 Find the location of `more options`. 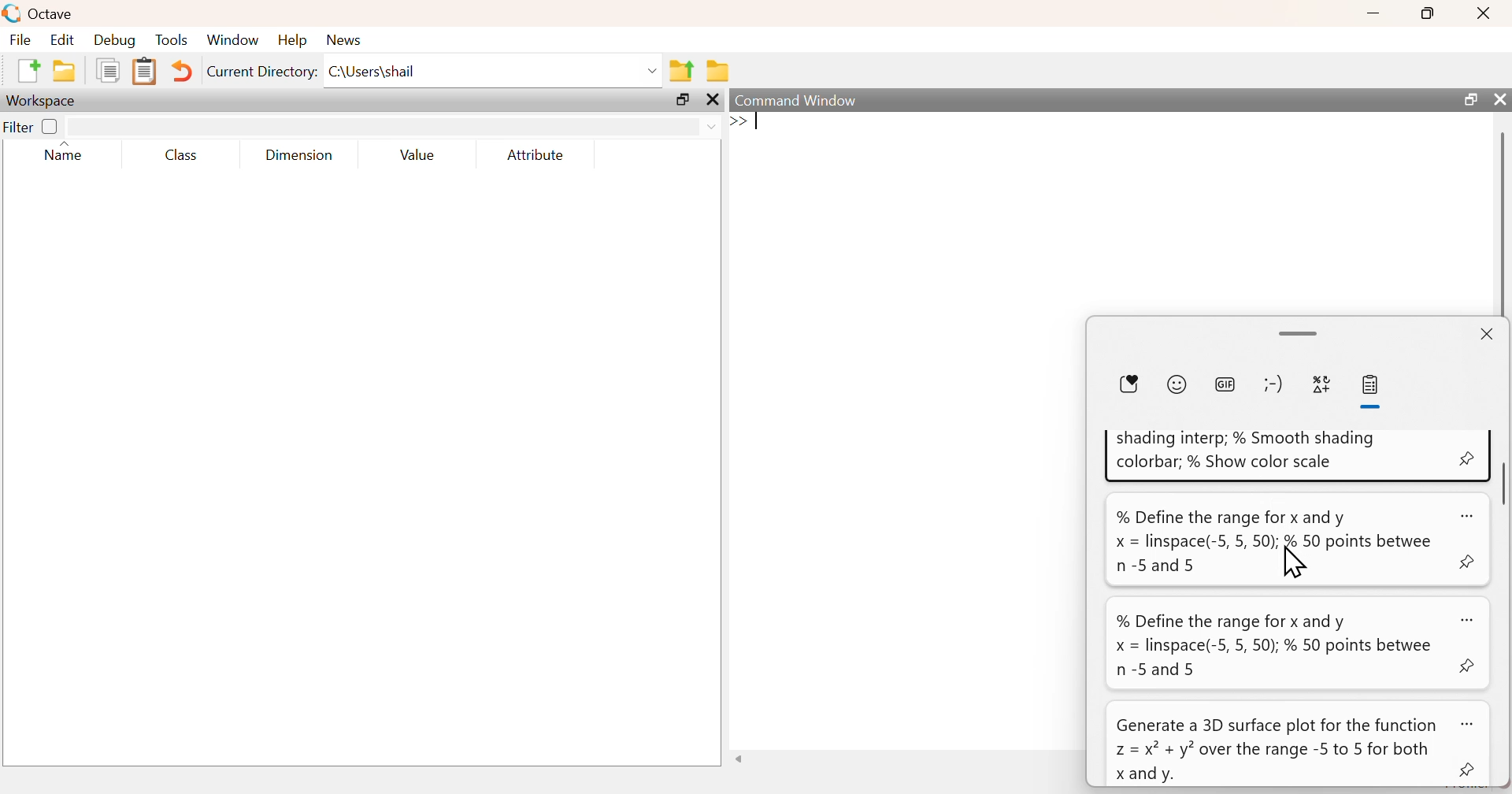

more options is located at coordinates (1468, 515).